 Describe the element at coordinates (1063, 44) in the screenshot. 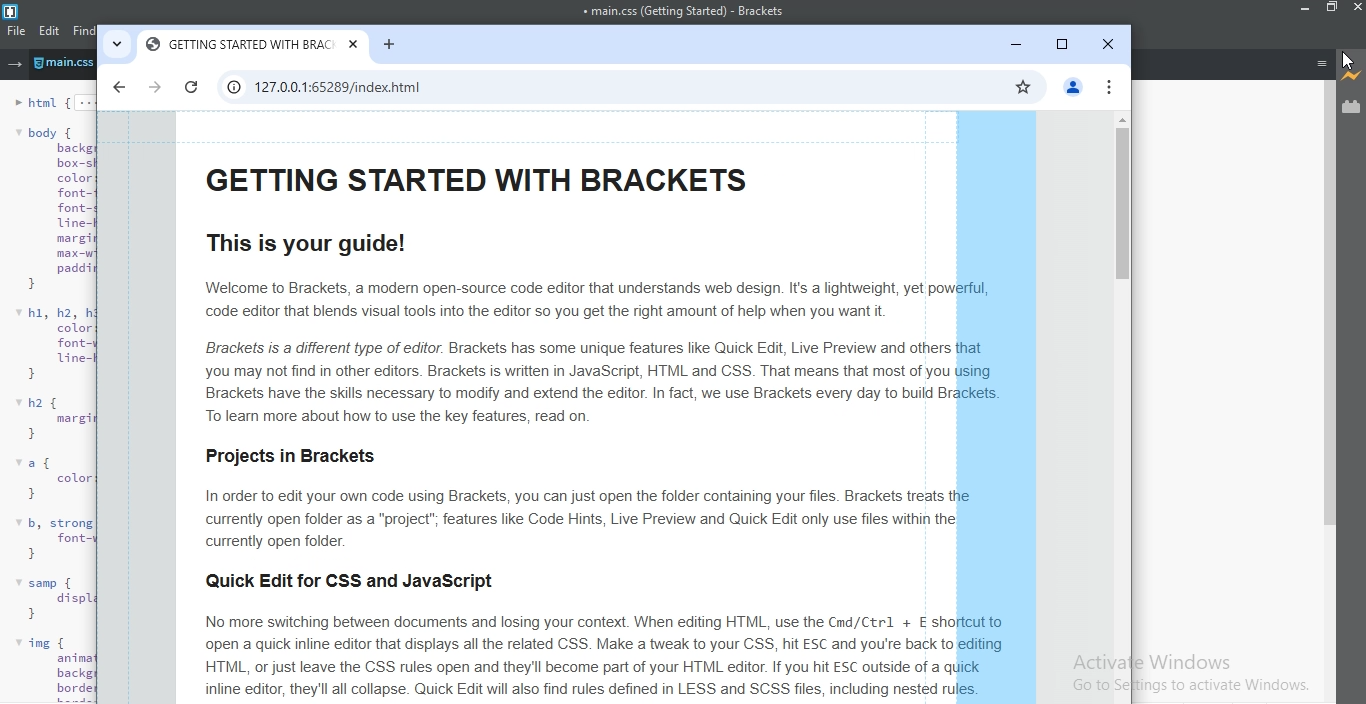

I see `restore` at that location.